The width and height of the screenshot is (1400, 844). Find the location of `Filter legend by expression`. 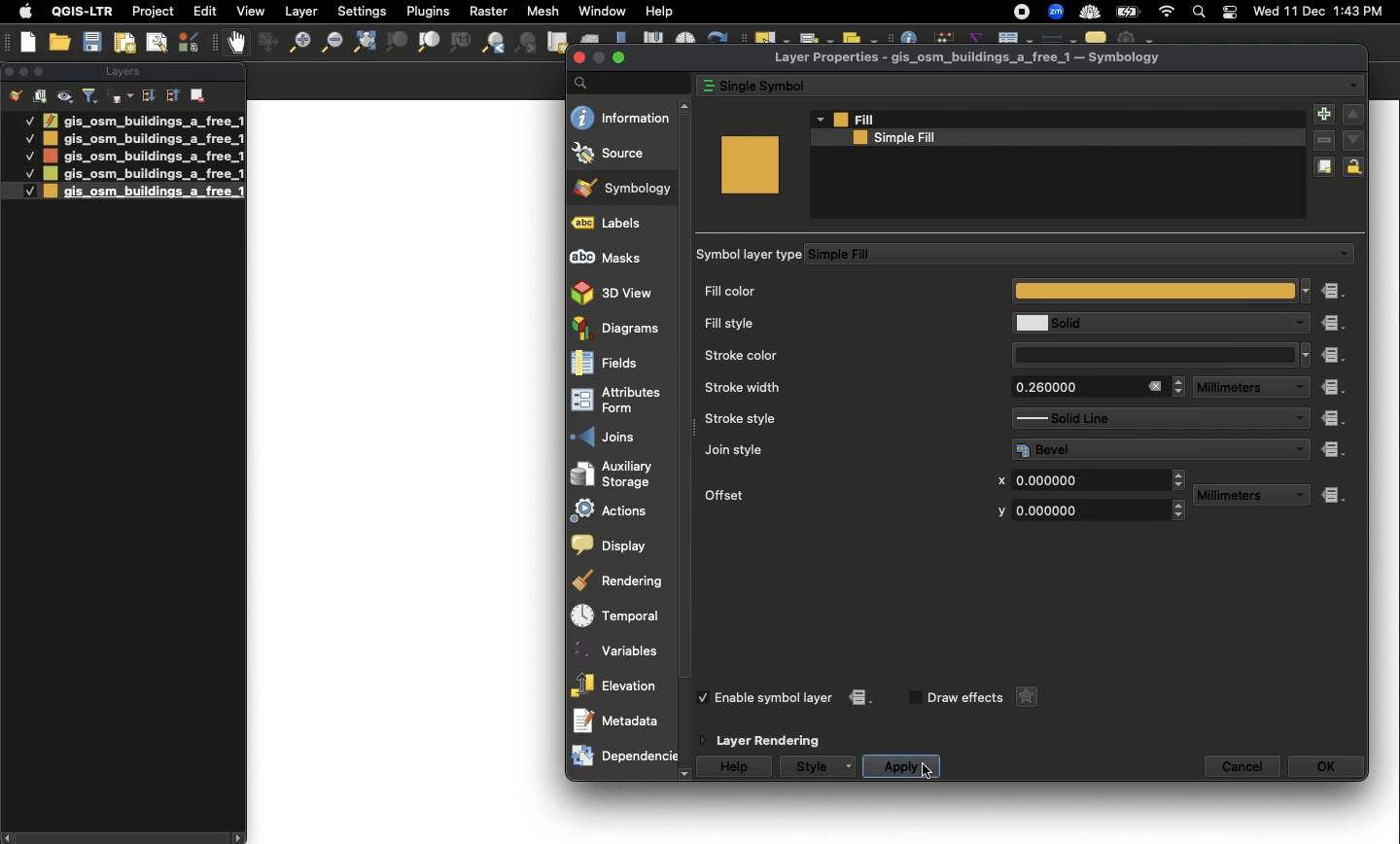

Filter legend by expression is located at coordinates (121, 96).